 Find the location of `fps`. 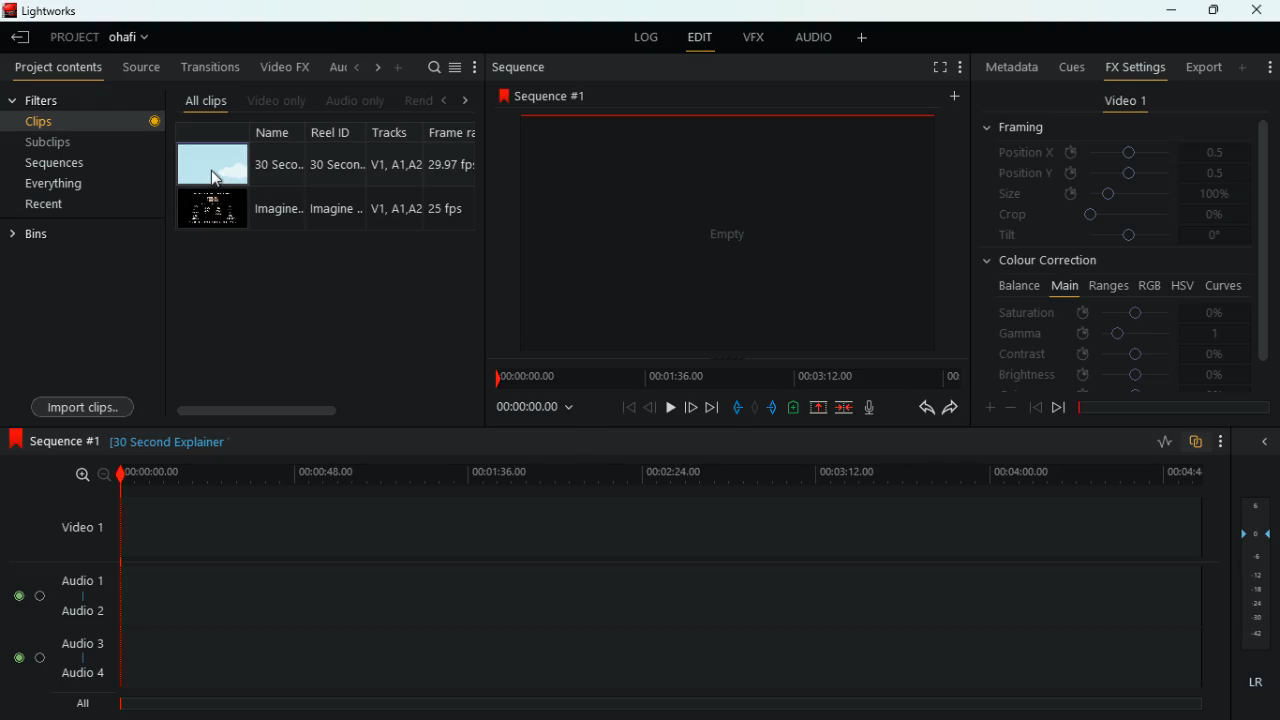

fps is located at coordinates (450, 176).